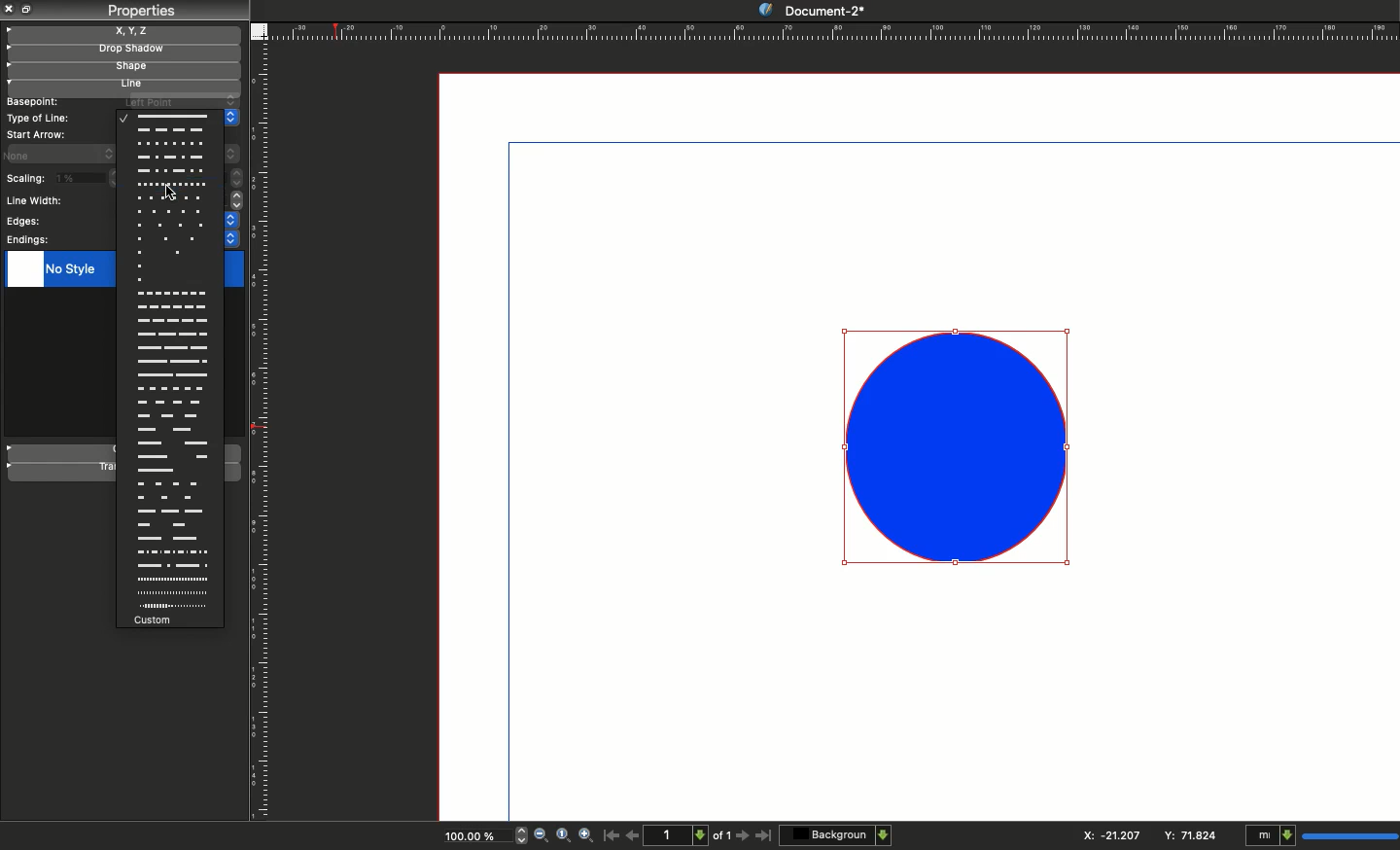 This screenshot has height=850, width=1400. I want to click on line option, so click(171, 347).